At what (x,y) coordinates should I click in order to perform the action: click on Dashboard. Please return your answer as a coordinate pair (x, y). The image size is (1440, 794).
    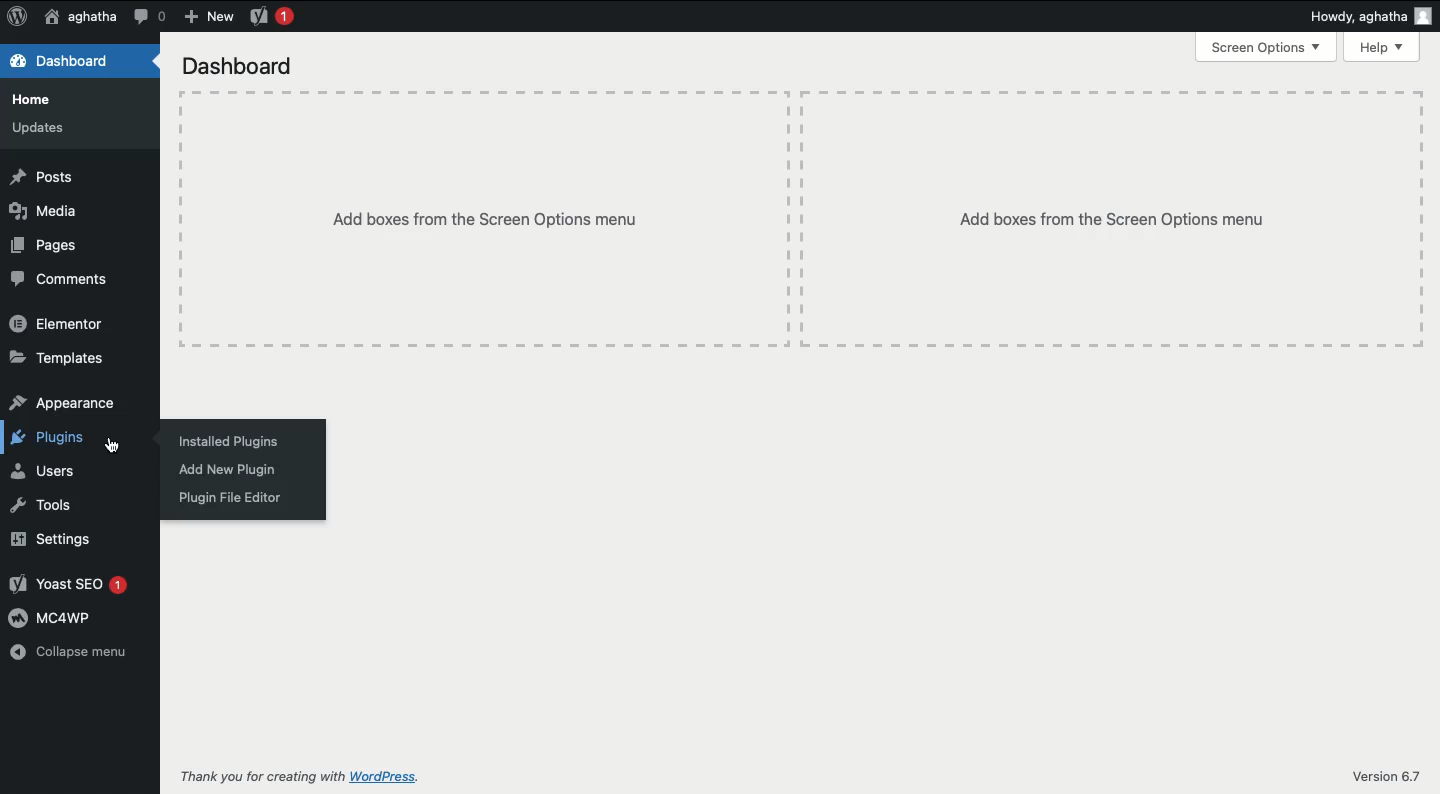
    Looking at the image, I should click on (61, 62).